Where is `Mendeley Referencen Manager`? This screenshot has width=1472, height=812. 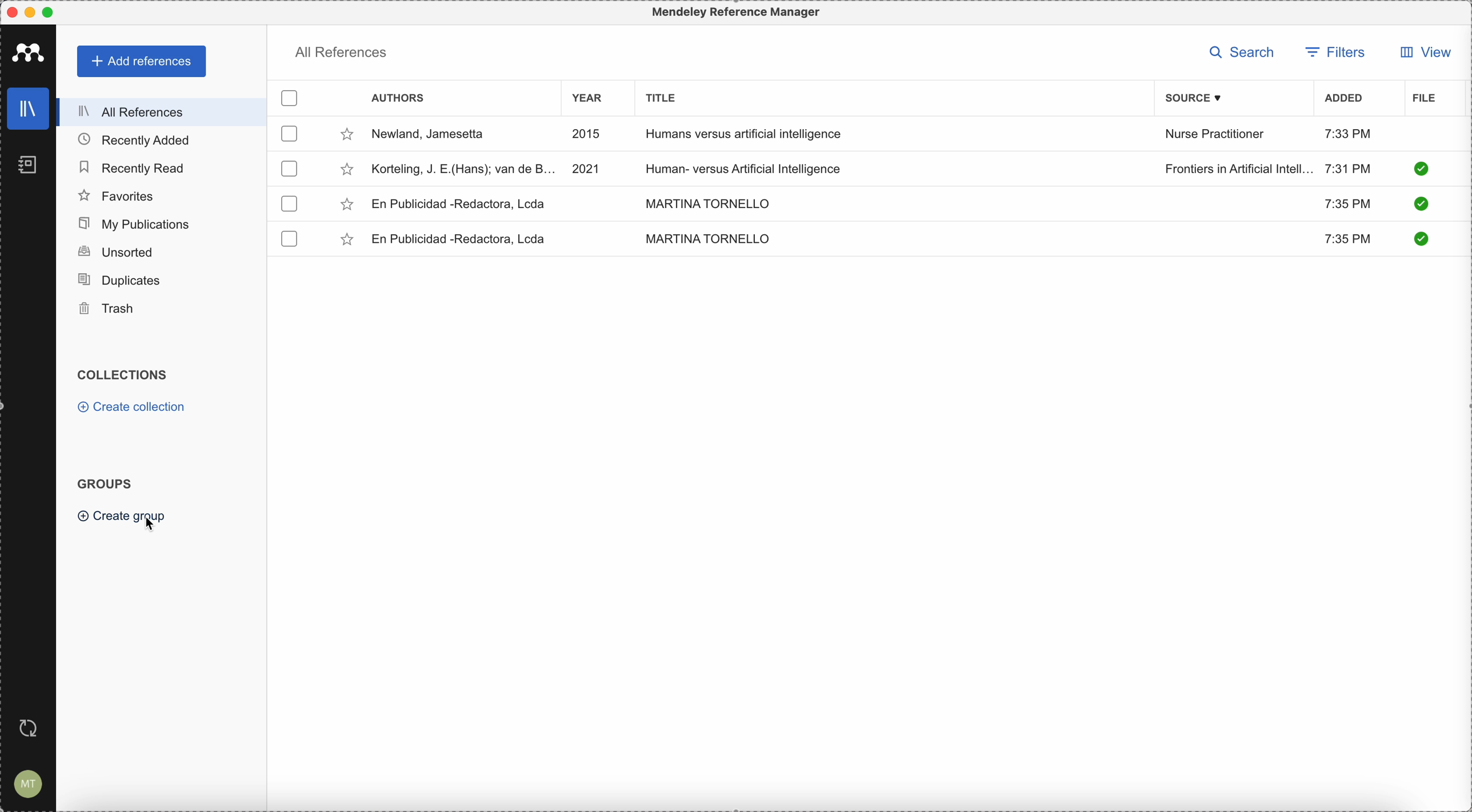
Mendeley Referencen Manager is located at coordinates (739, 13).